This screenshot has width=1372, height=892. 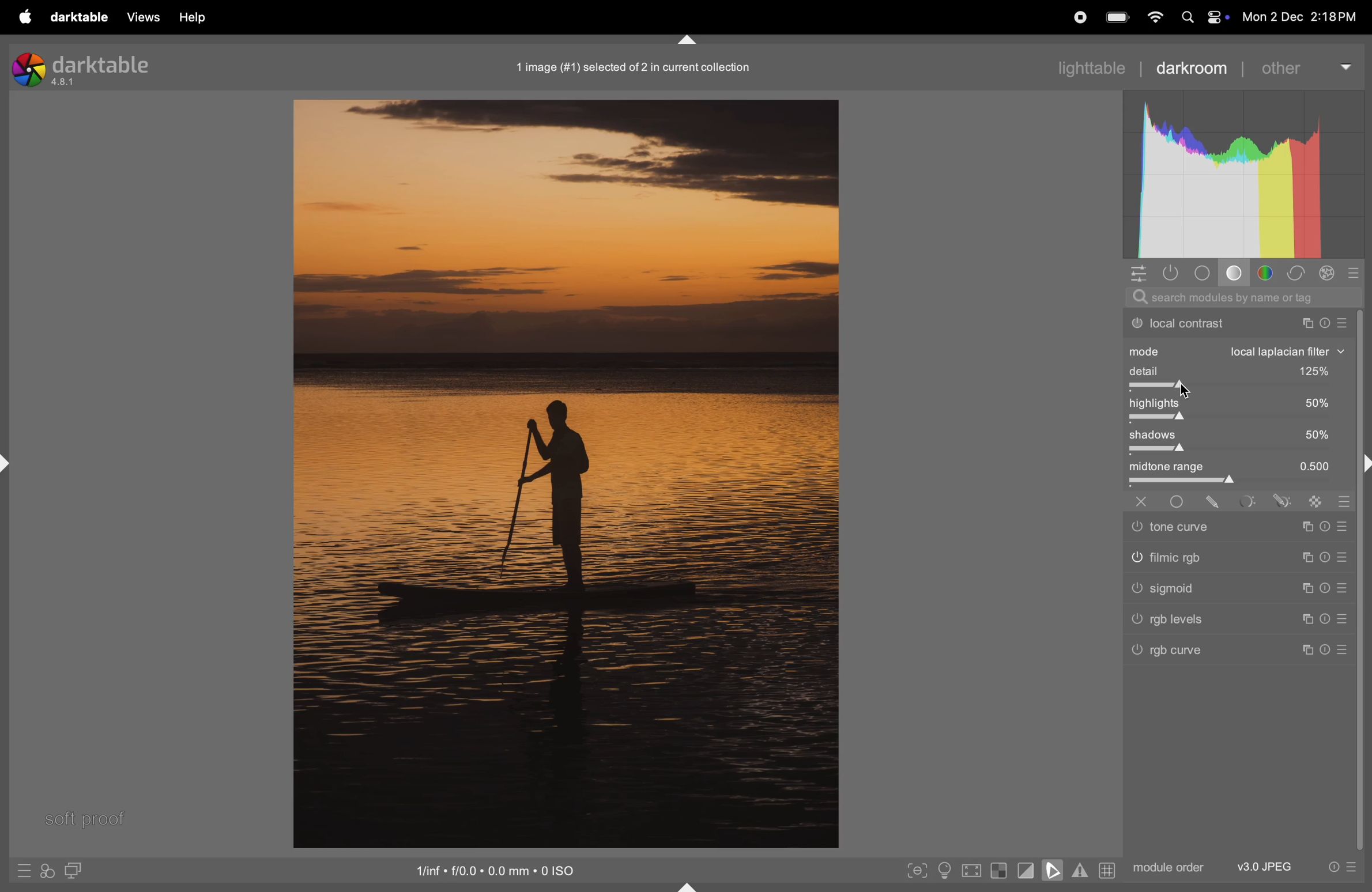 What do you see at coordinates (1218, 502) in the screenshot?
I see `sign` at bounding box center [1218, 502].